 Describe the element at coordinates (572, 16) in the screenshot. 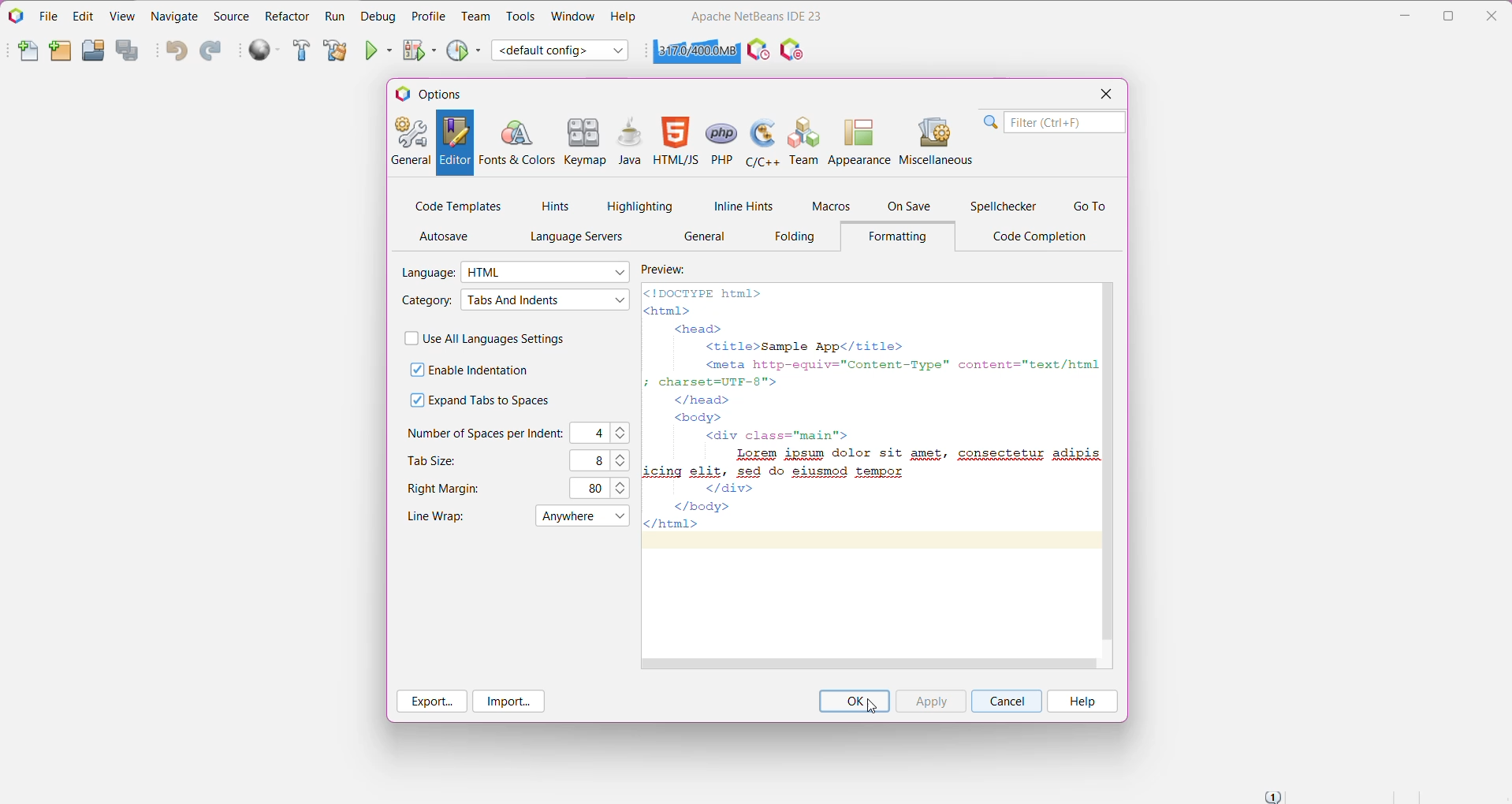

I see `Window` at that location.